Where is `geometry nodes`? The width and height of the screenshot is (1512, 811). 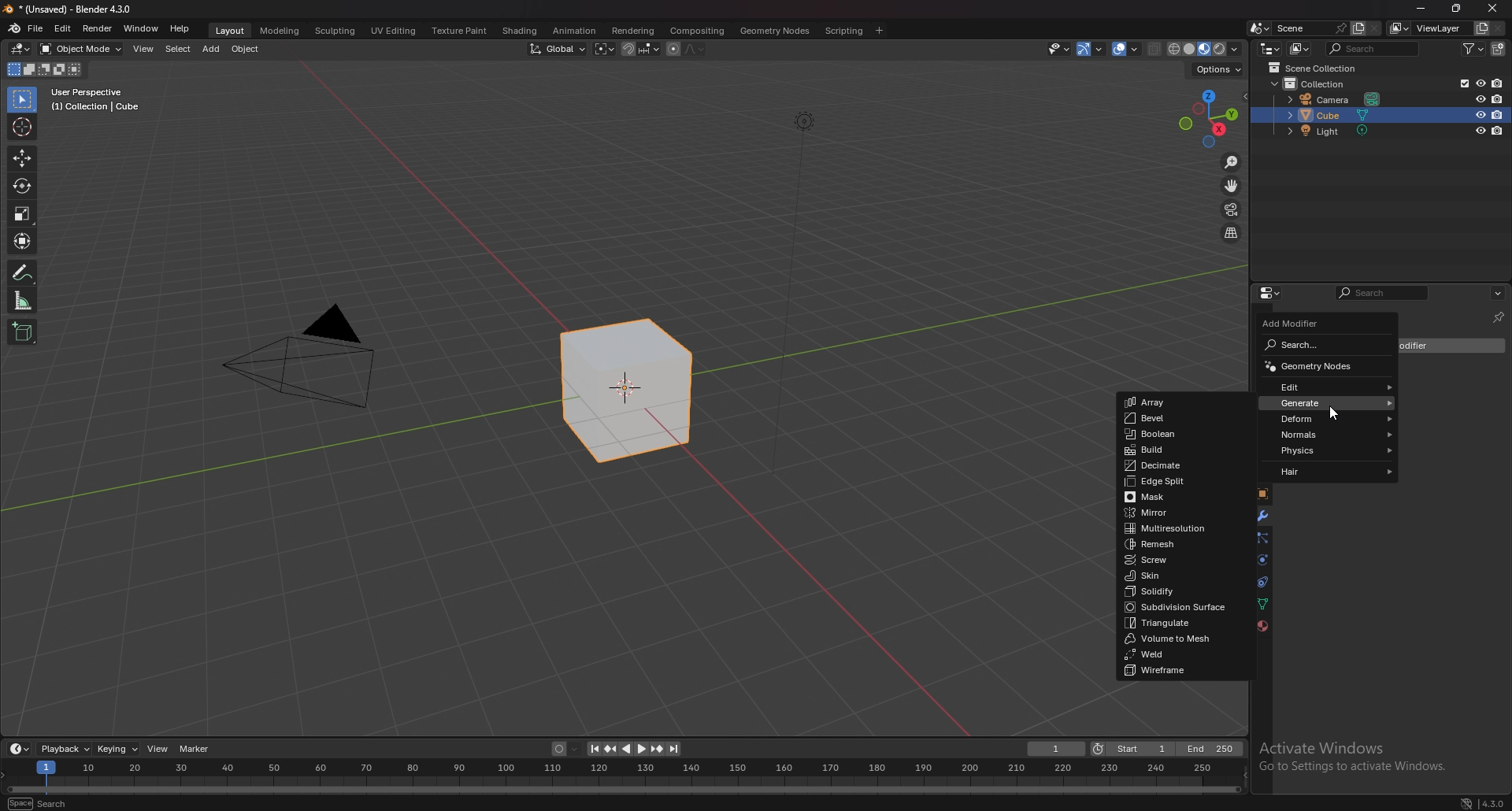 geometry nodes is located at coordinates (1325, 366).